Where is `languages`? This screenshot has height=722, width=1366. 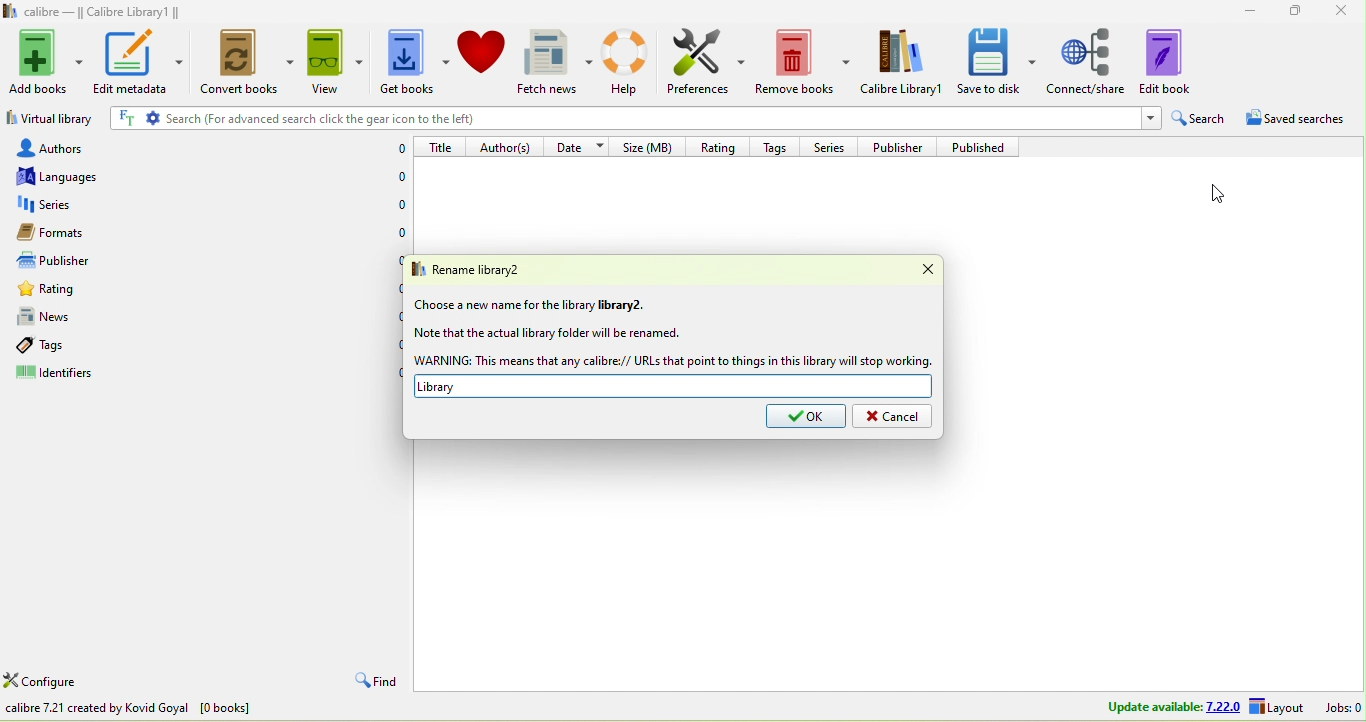 languages is located at coordinates (68, 176).